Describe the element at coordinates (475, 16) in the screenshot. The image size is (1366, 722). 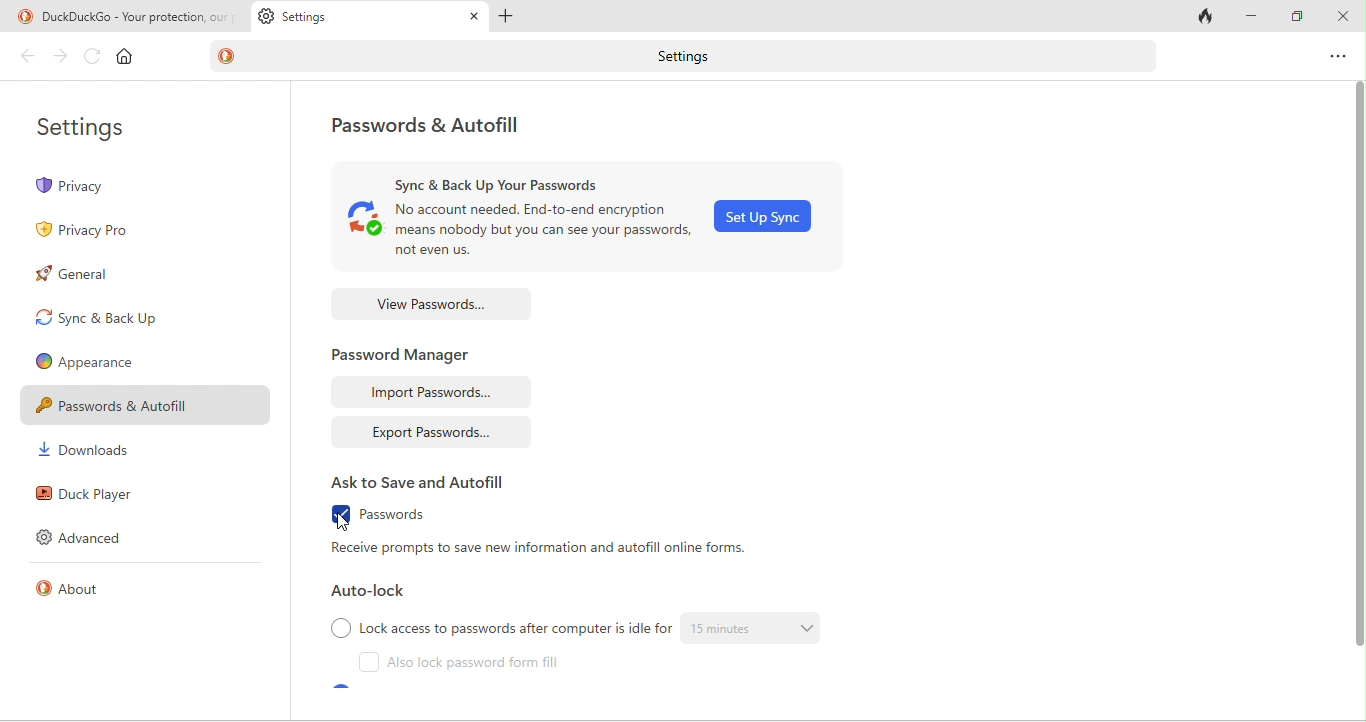
I see `close` at that location.